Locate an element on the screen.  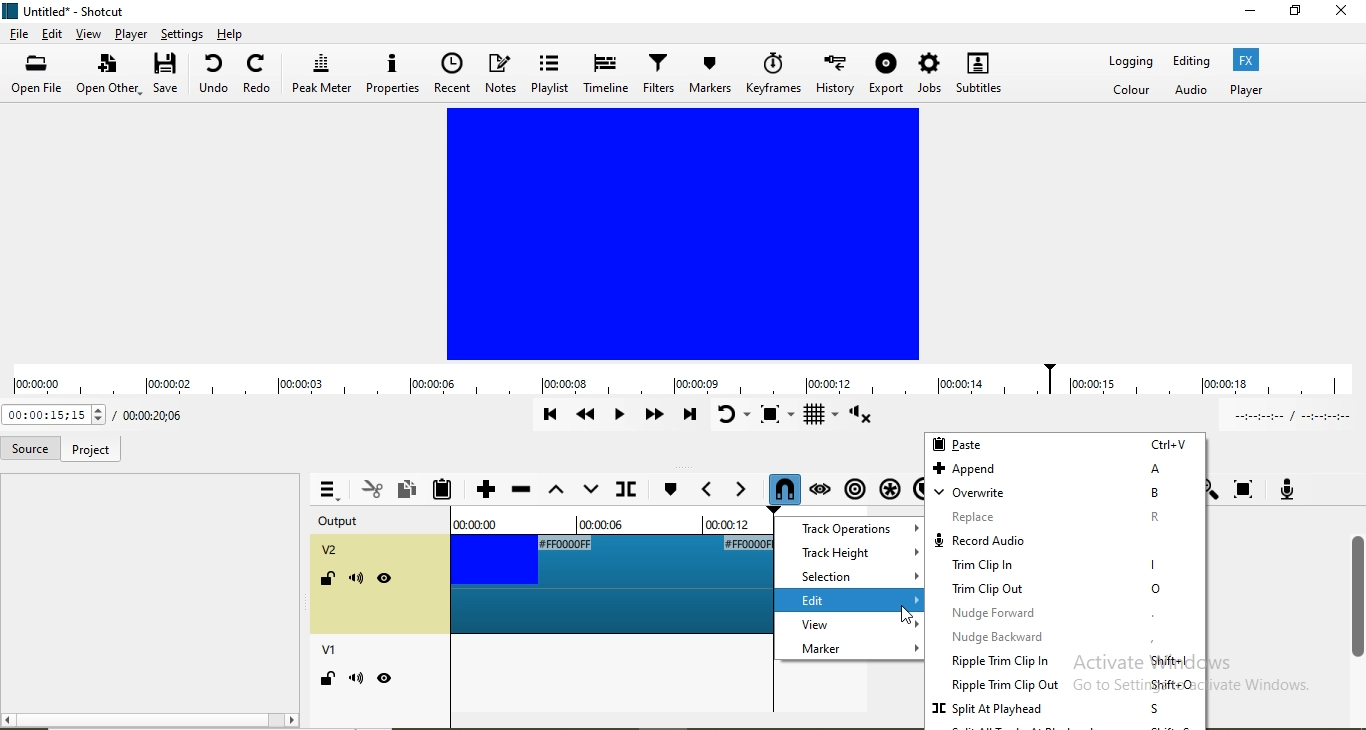
ripple trim clip in is located at coordinates (1069, 662).